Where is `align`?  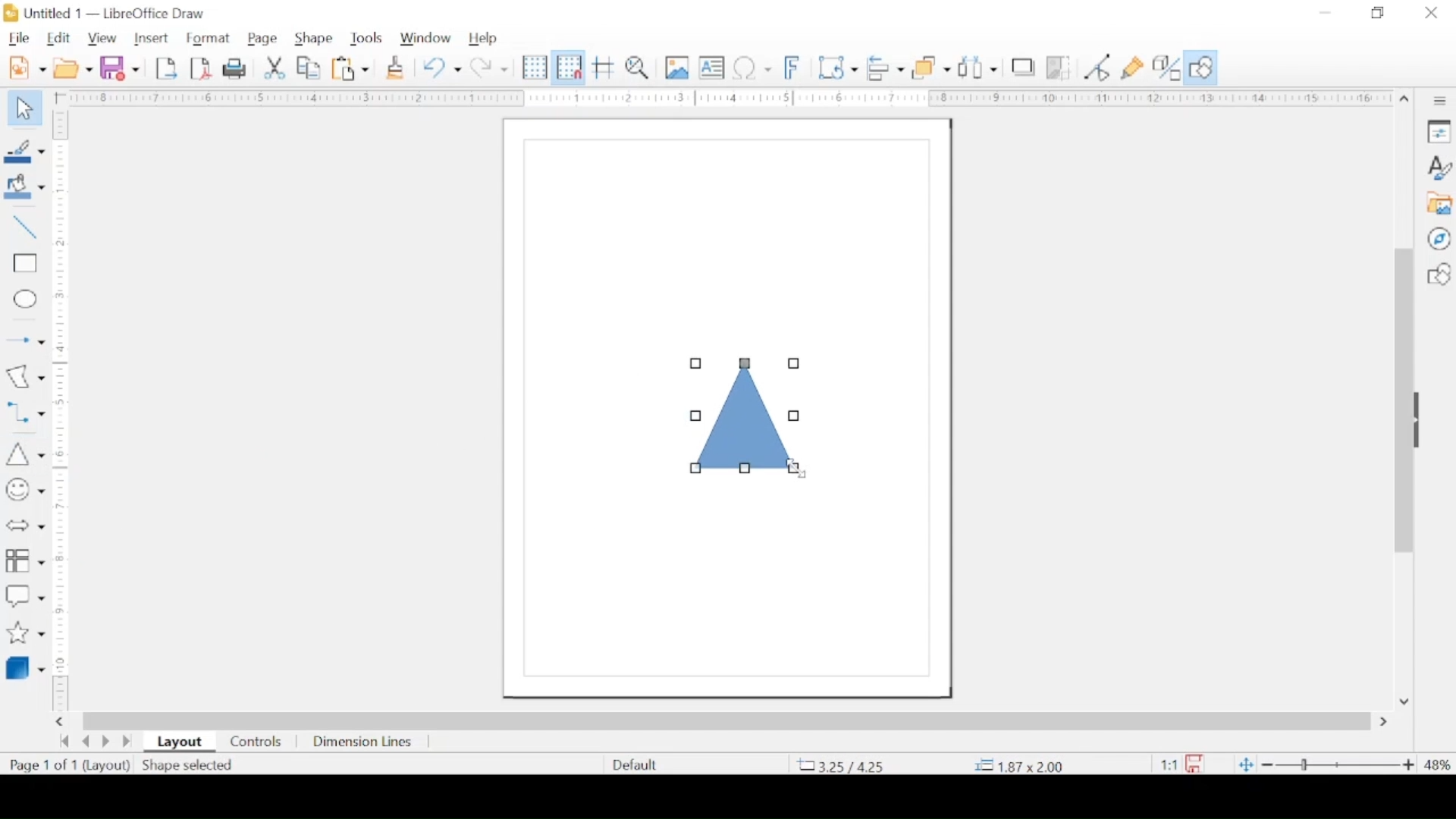
align is located at coordinates (887, 67).